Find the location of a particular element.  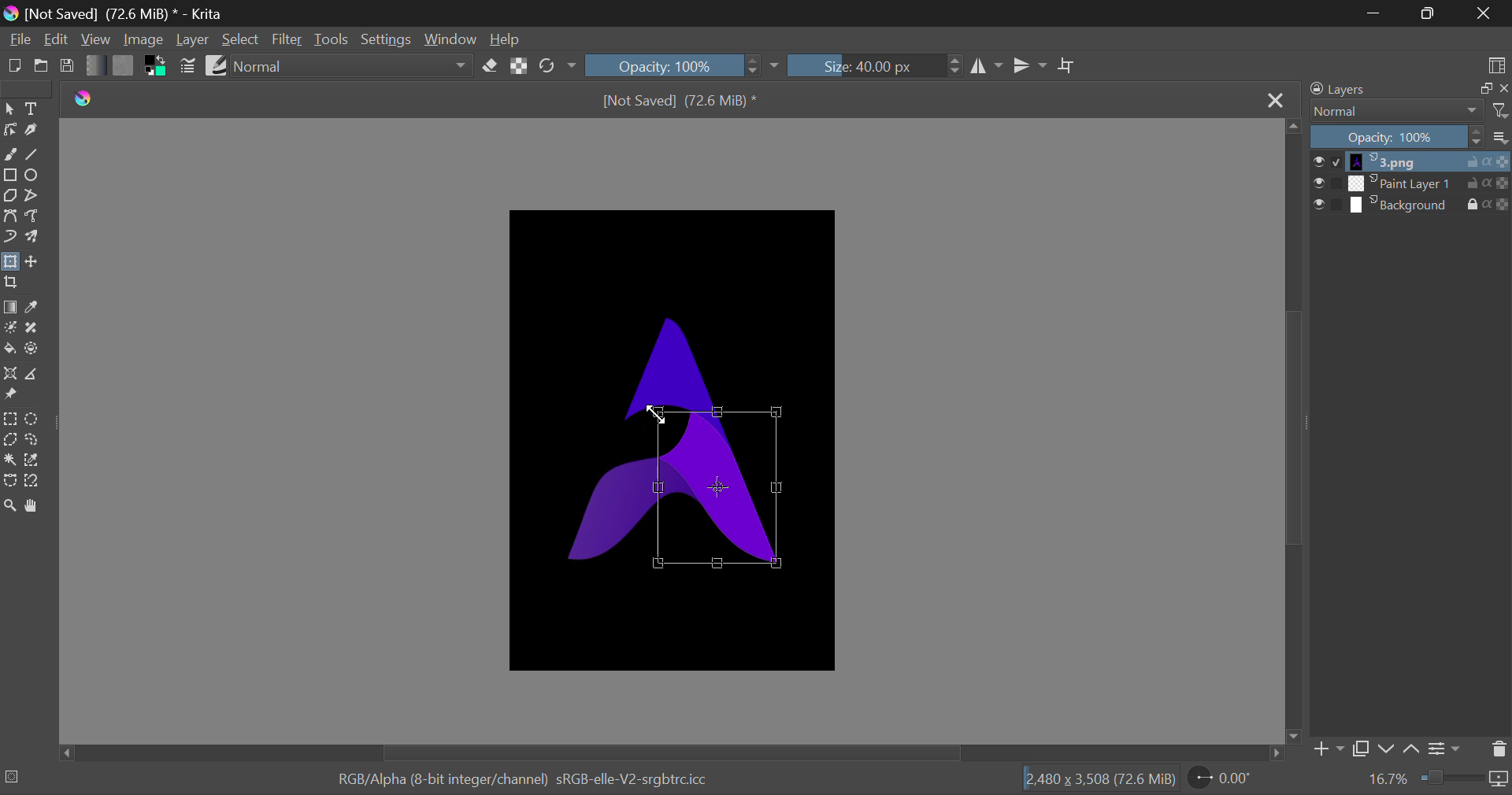

Add Layer is located at coordinates (1328, 749).